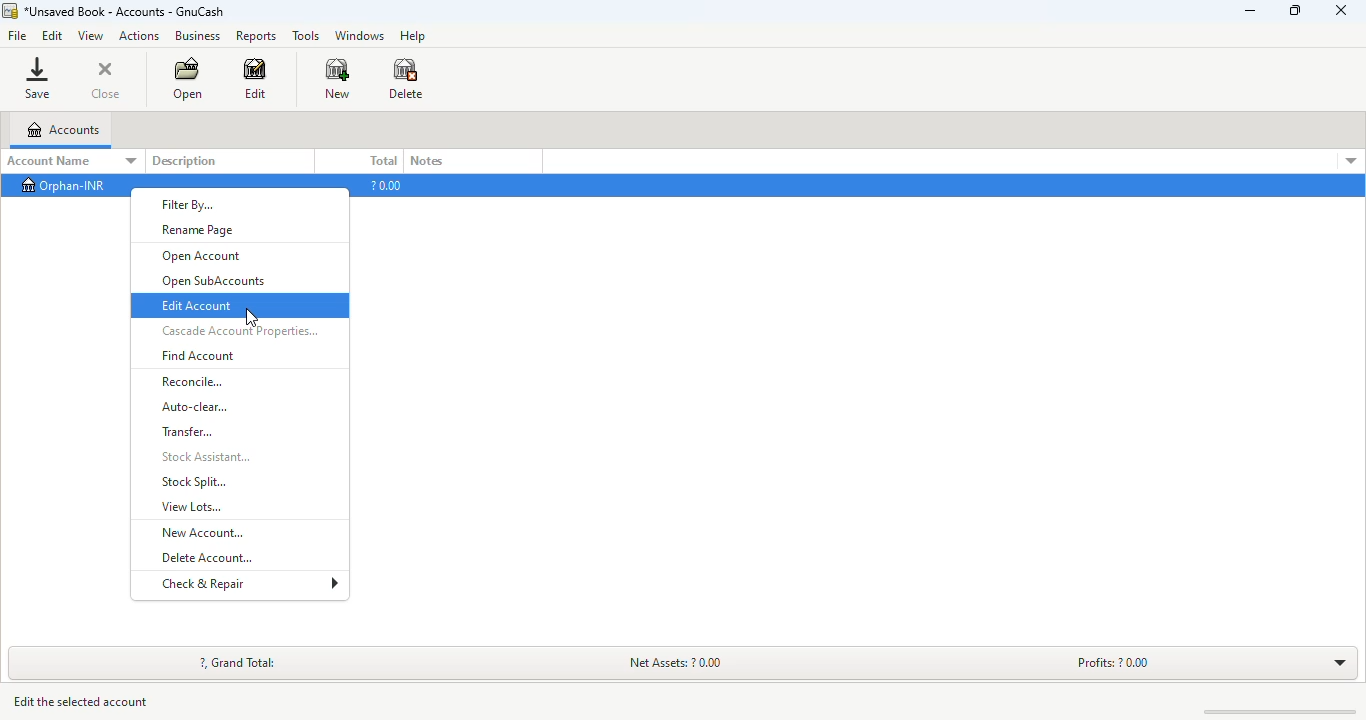 The height and width of the screenshot is (720, 1366). I want to click on new account, so click(202, 533).